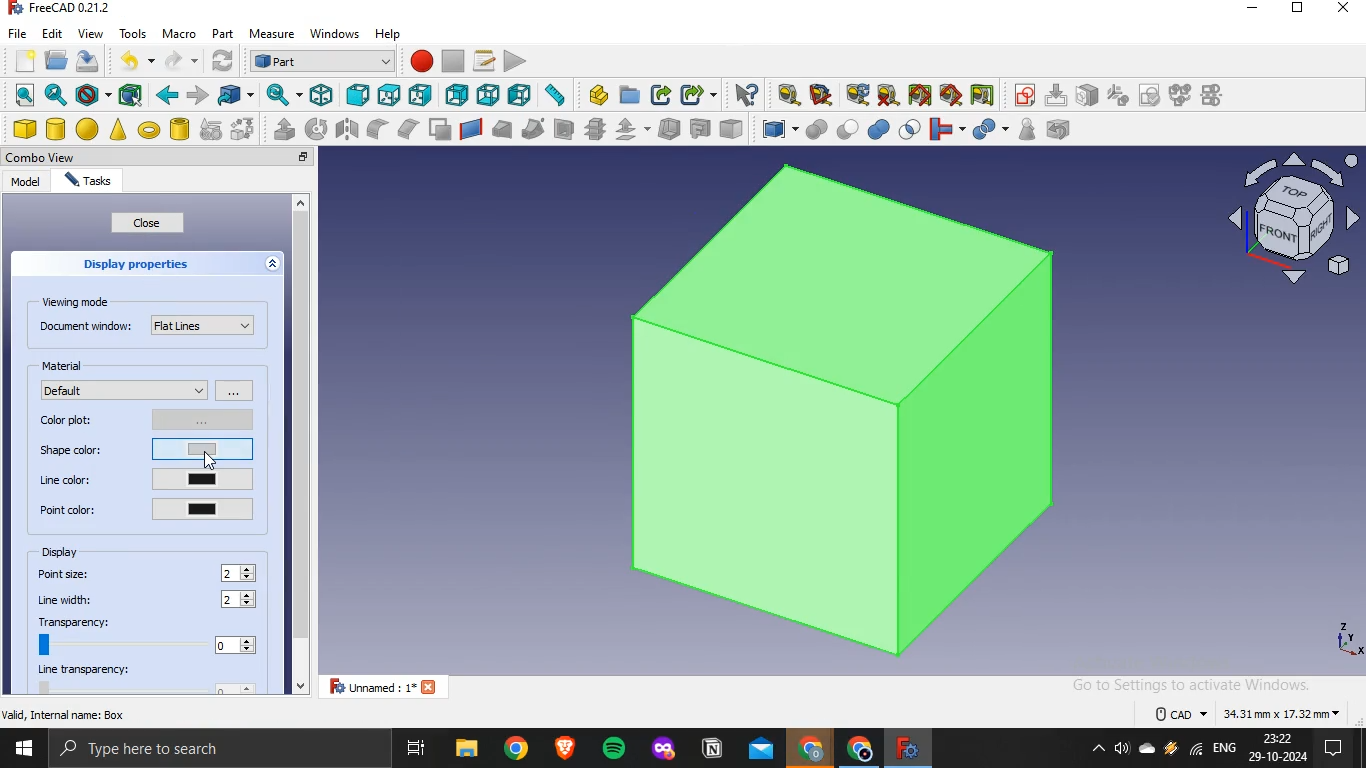  Describe the element at coordinates (128, 60) in the screenshot. I see `undo` at that location.